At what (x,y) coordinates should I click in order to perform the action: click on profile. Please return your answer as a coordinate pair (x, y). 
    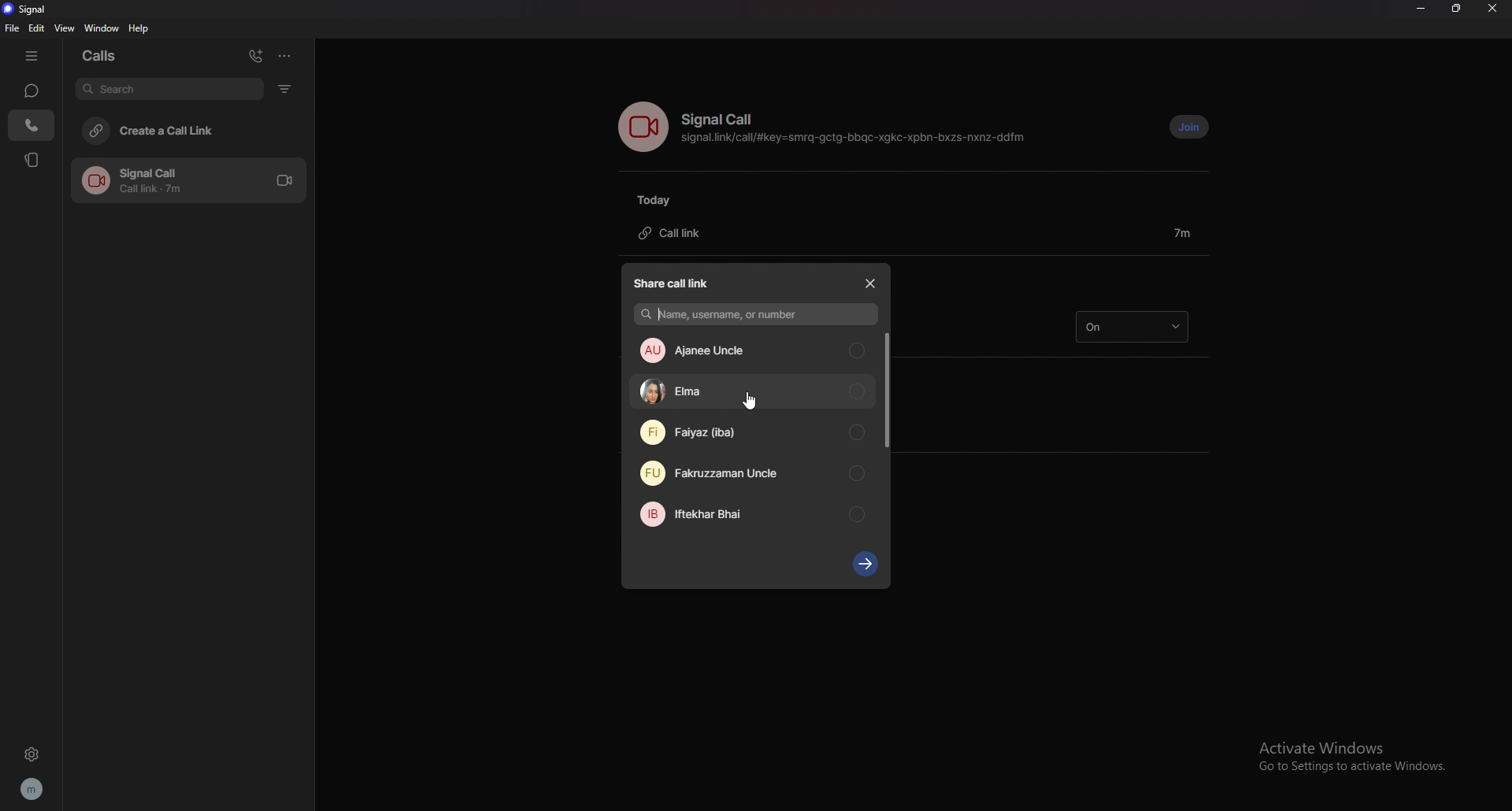
    Looking at the image, I should click on (31, 790).